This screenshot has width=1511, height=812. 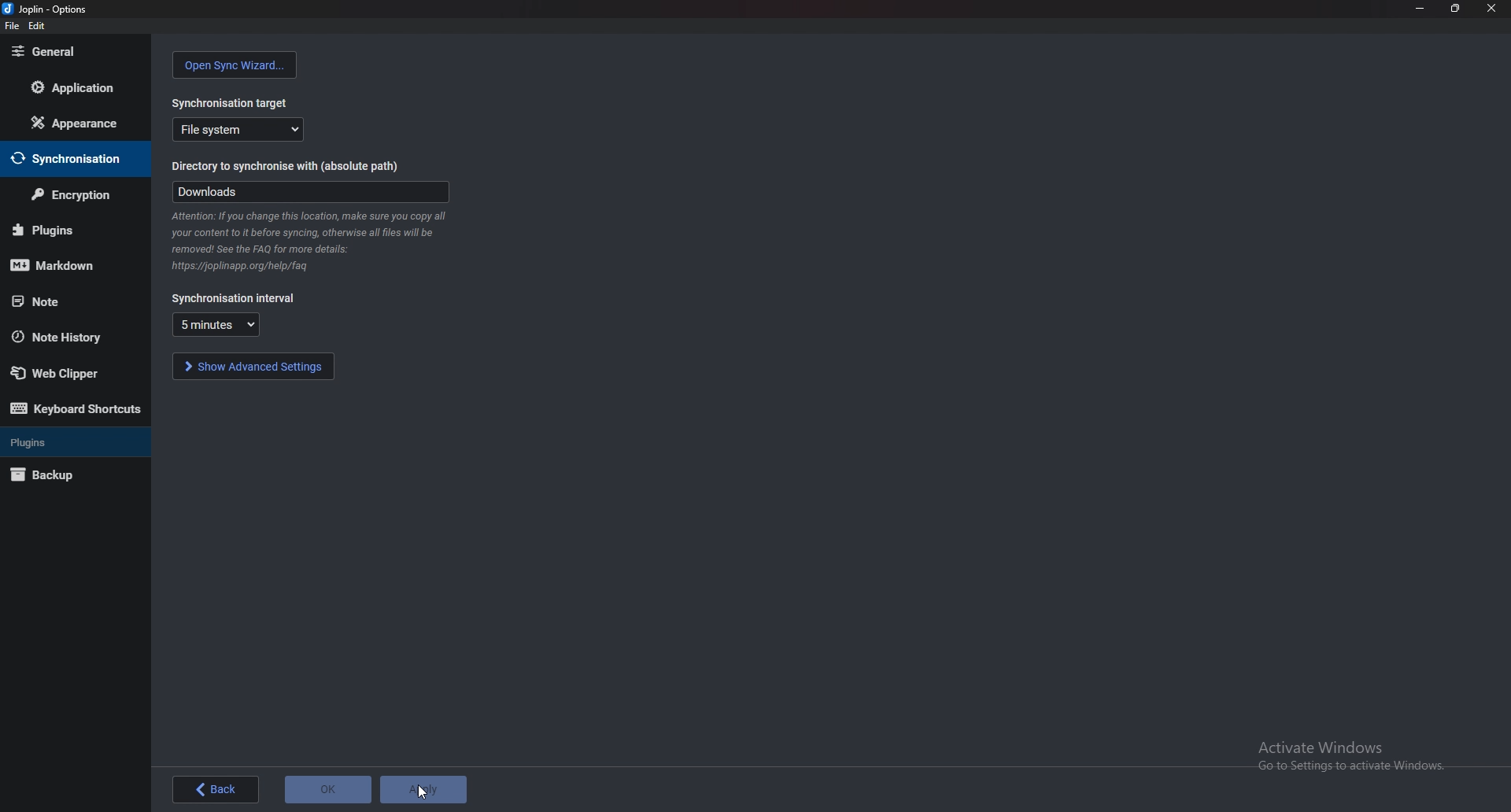 I want to click on Synchronization, so click(x=76, y=159).